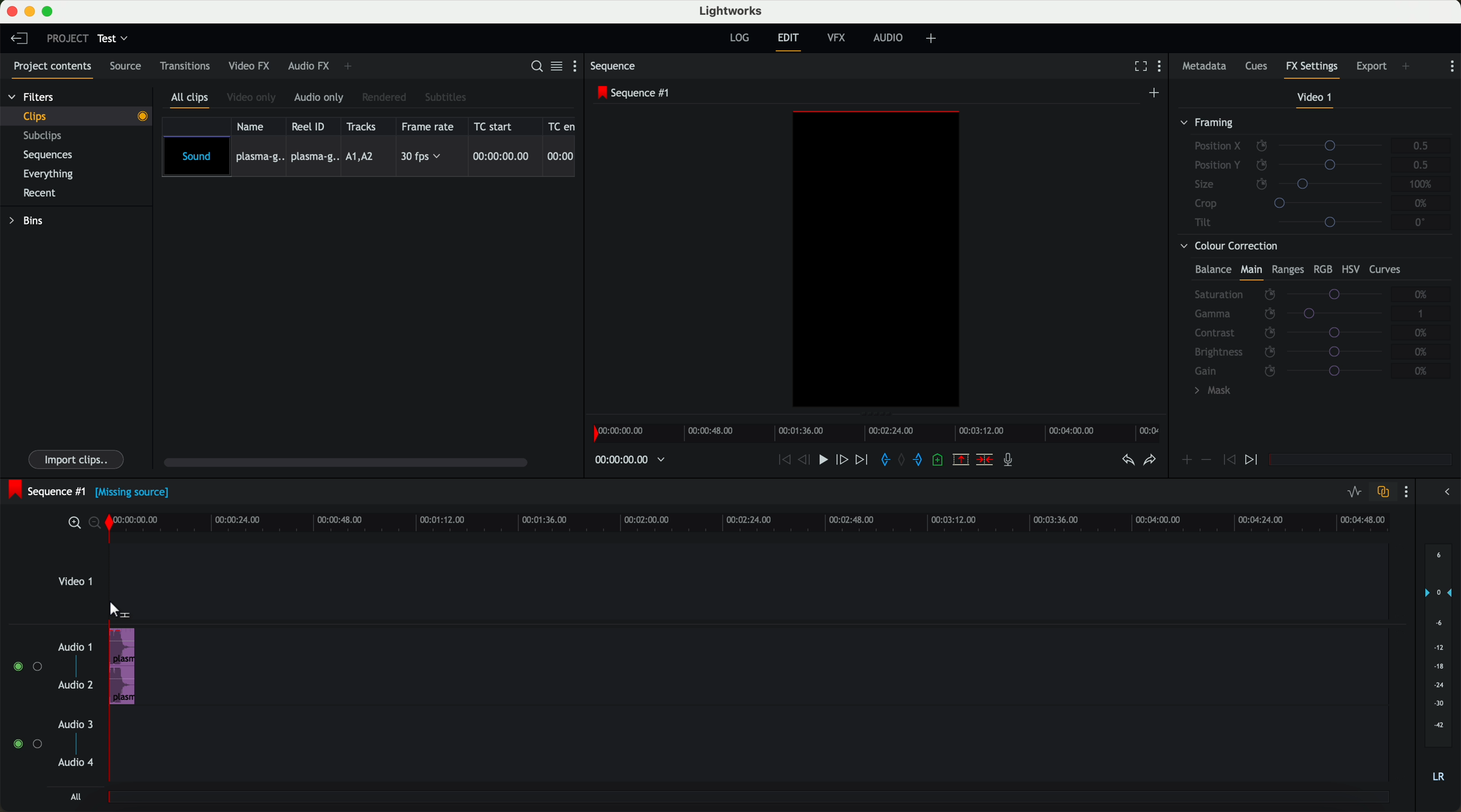 This screenshot has width=1461, height=812. What do you see at coordinates (498, 126) in the screenshot?
I see `TC start` at bounding box center [498, 126].